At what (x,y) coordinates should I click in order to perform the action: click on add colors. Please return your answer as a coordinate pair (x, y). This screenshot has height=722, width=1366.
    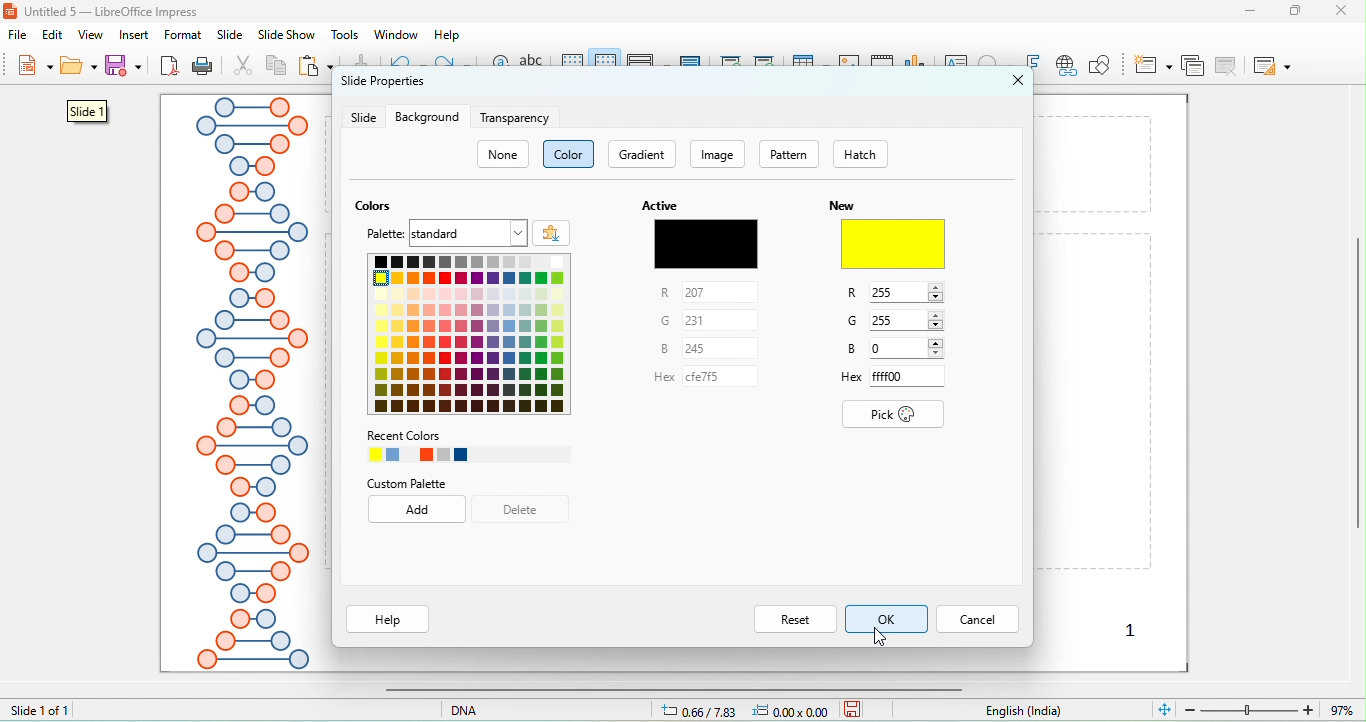
    Looking at the image, I should click on (552, 232).